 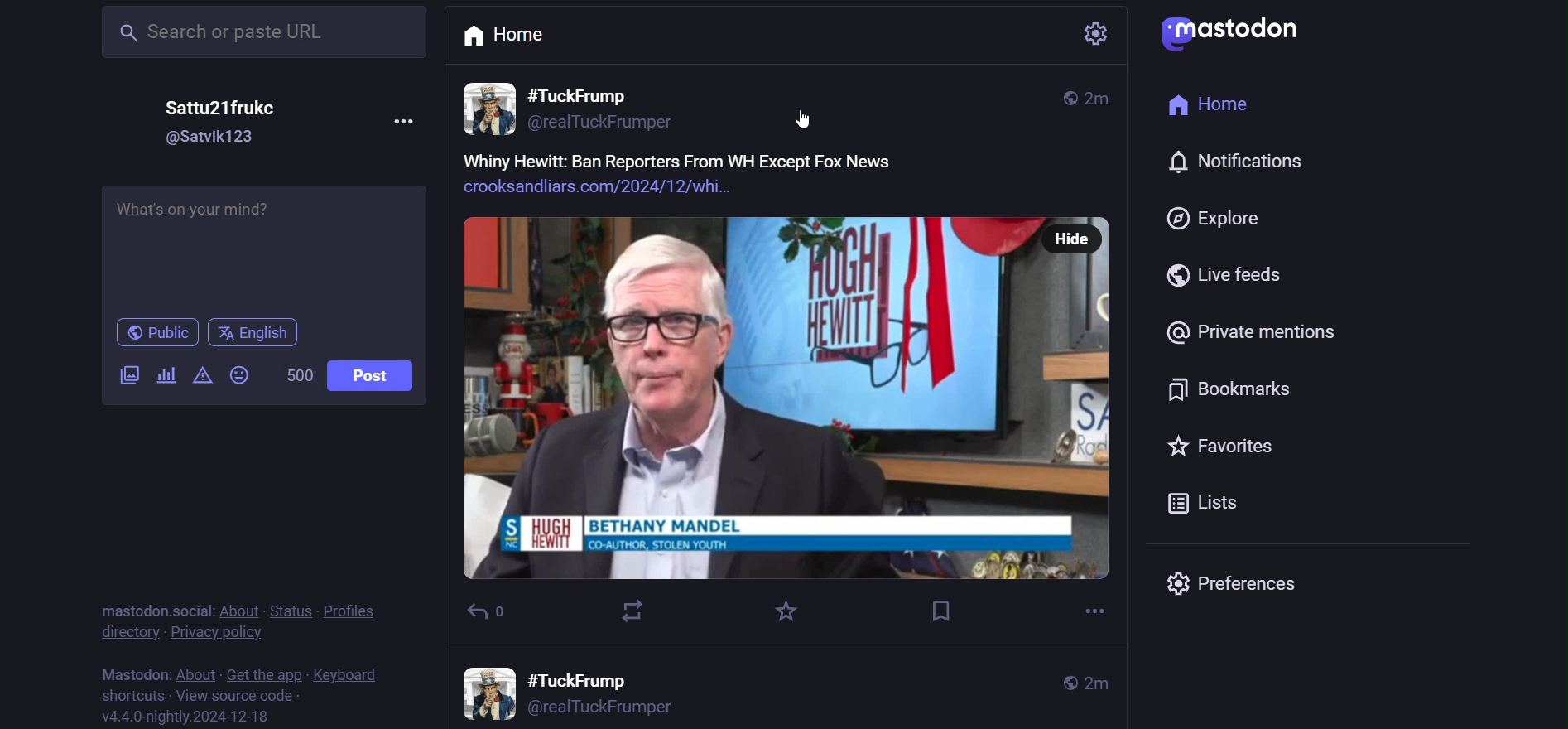 I want to click on post, so click(x=375, y=374).